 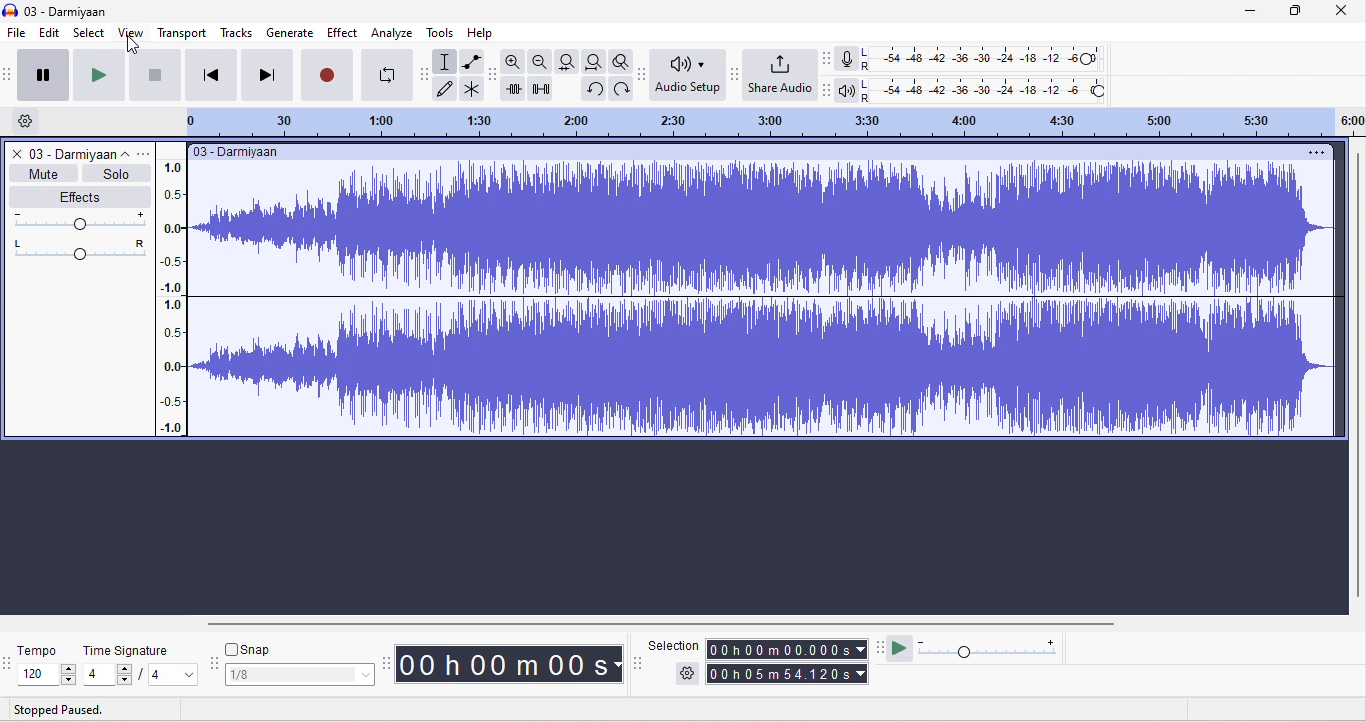 I want to click on snap toolbar, so click(x=213, y=663).